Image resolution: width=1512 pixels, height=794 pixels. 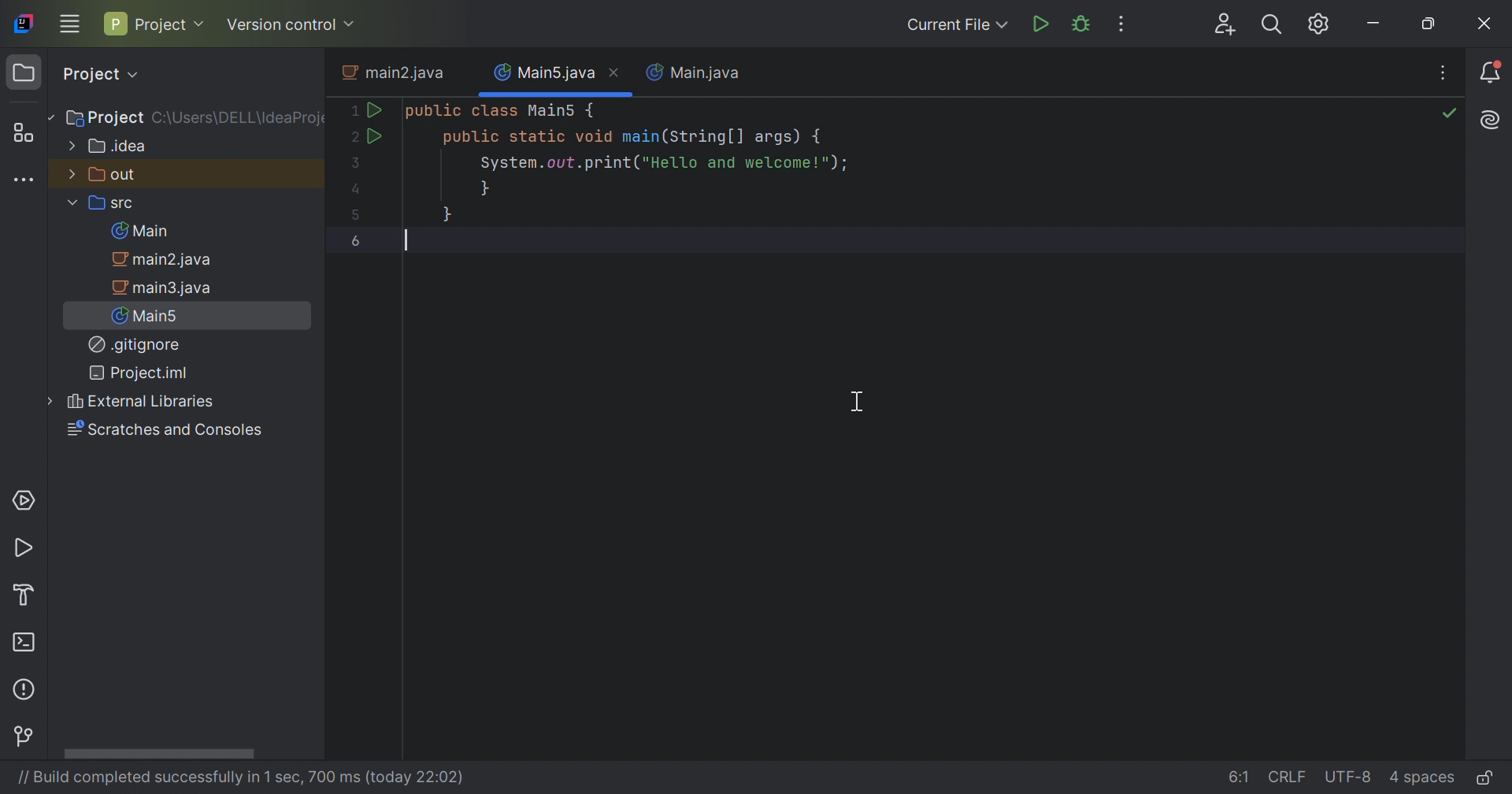 What do you see at coordinates (165, 288) in the screenshot?
I see `main3.java` at bounding box center [165, 288].